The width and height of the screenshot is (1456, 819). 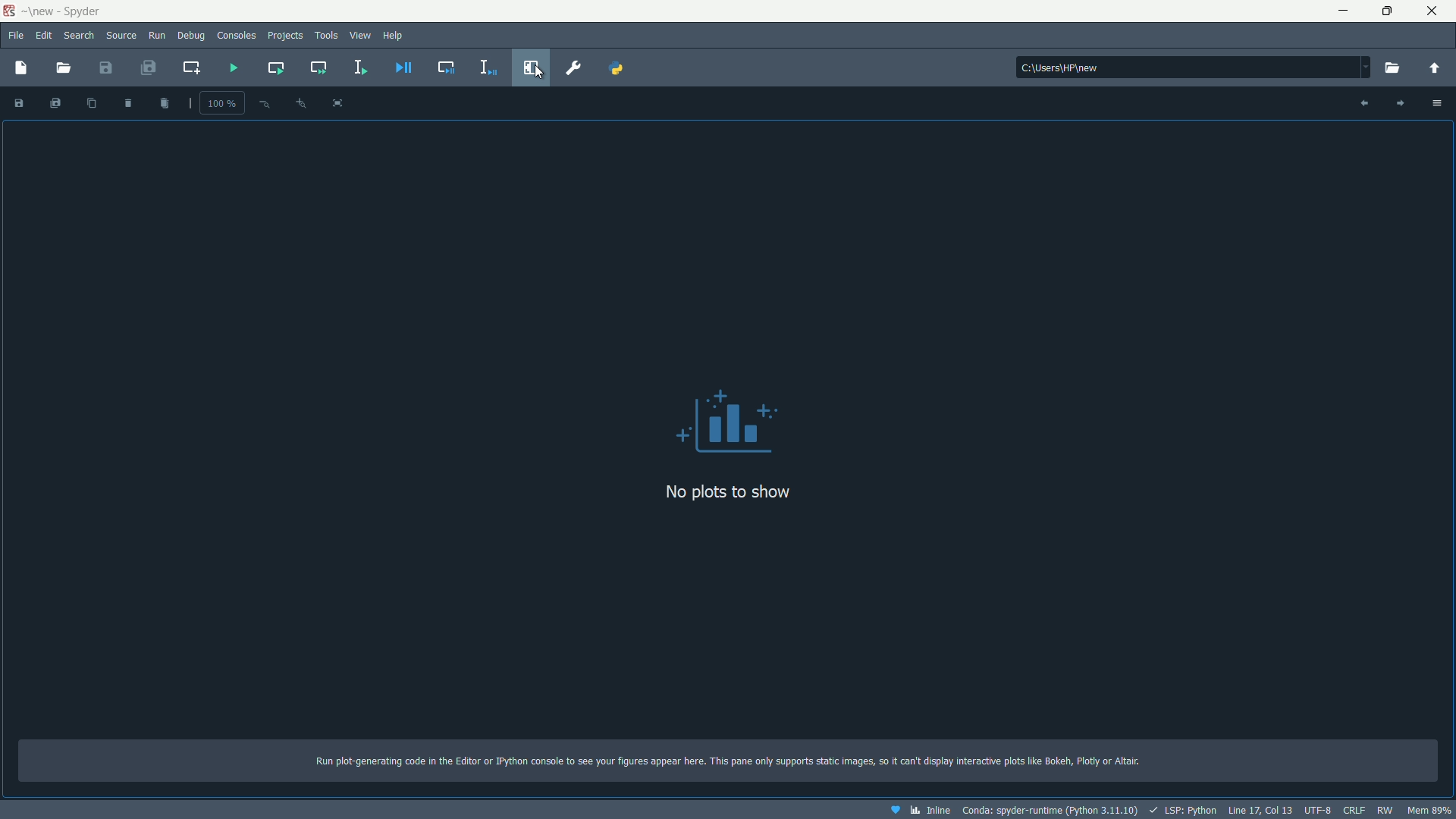 What do you see at coordinates (538, 73) in the screenshot?
I see `cursor` at bounding box center [538, 73].